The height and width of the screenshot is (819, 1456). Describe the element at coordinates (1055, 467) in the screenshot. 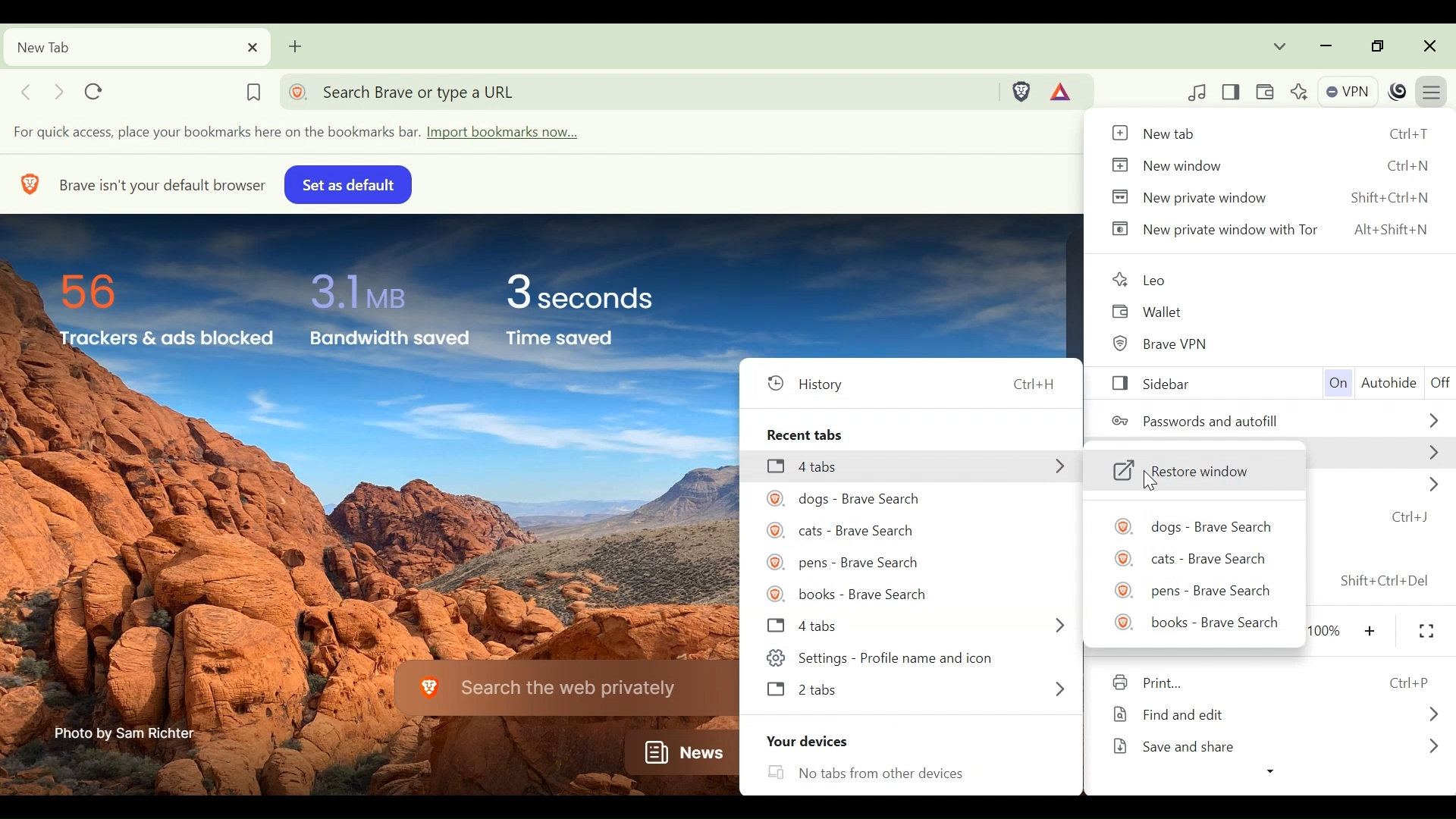

I see `MORE` at that location.